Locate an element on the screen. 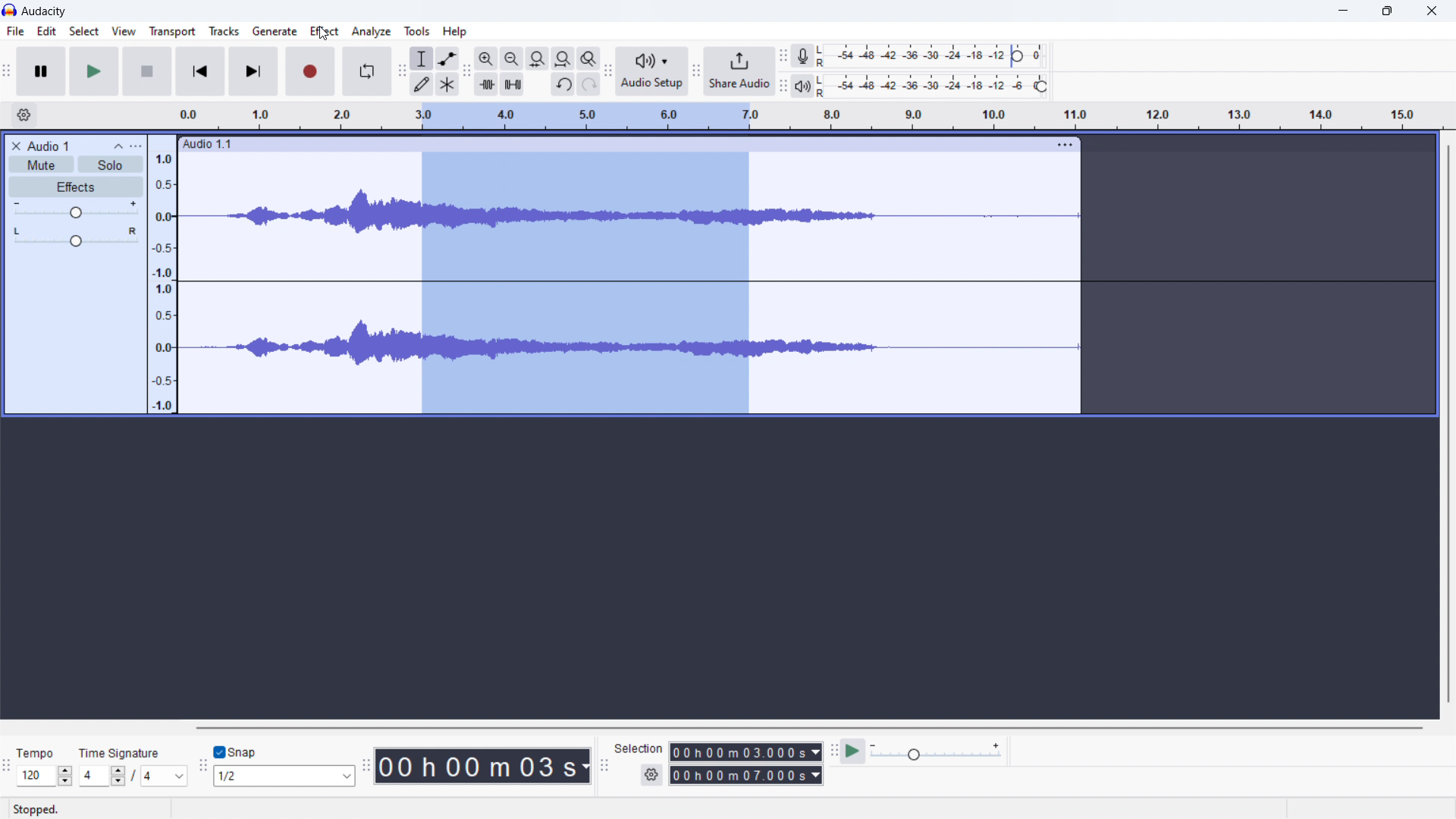 The height and width of the screenshot is (819, 1456). stopped. is located at coordinates (36, 810).